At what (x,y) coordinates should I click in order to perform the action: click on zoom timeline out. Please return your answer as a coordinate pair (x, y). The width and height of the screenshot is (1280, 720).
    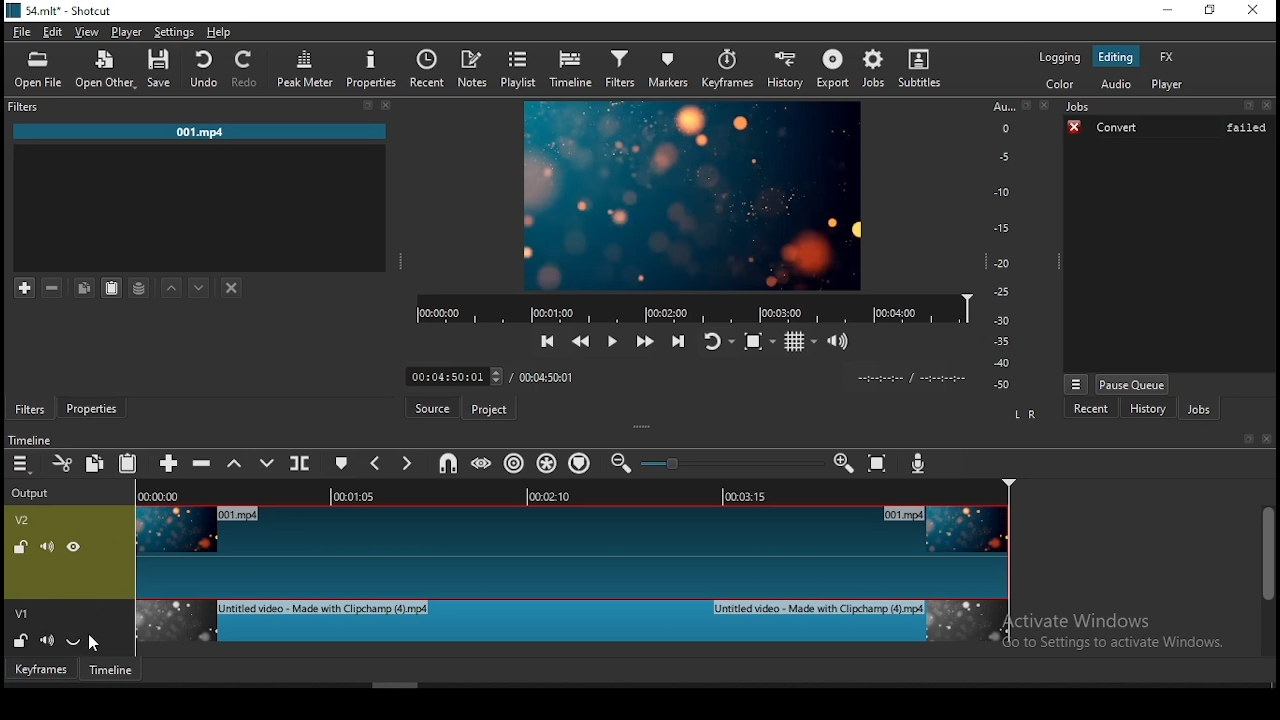
    Looking at the image, I should click on (843, 463).